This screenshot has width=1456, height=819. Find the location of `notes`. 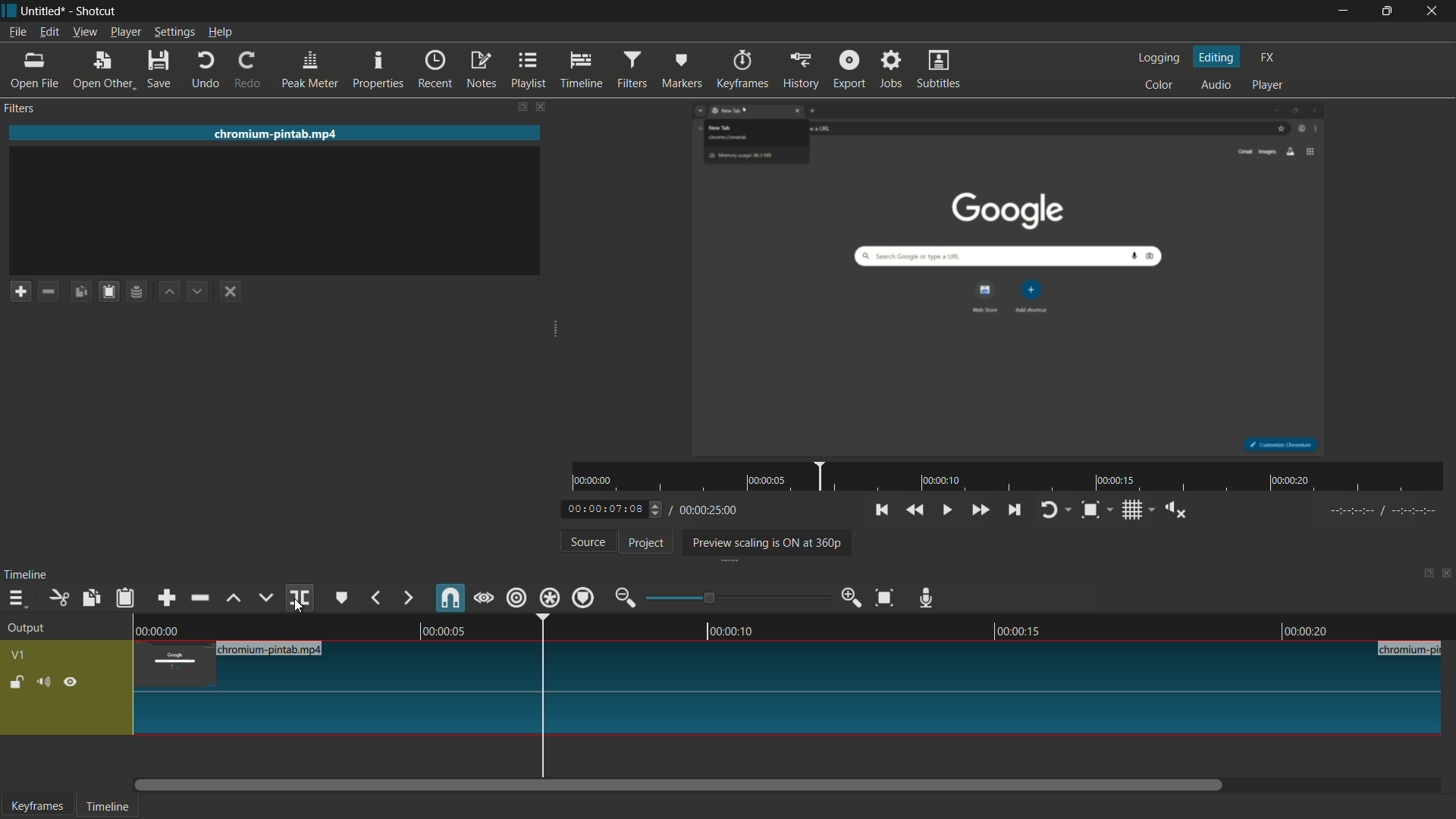

notes is located at coordinates (481, 70).